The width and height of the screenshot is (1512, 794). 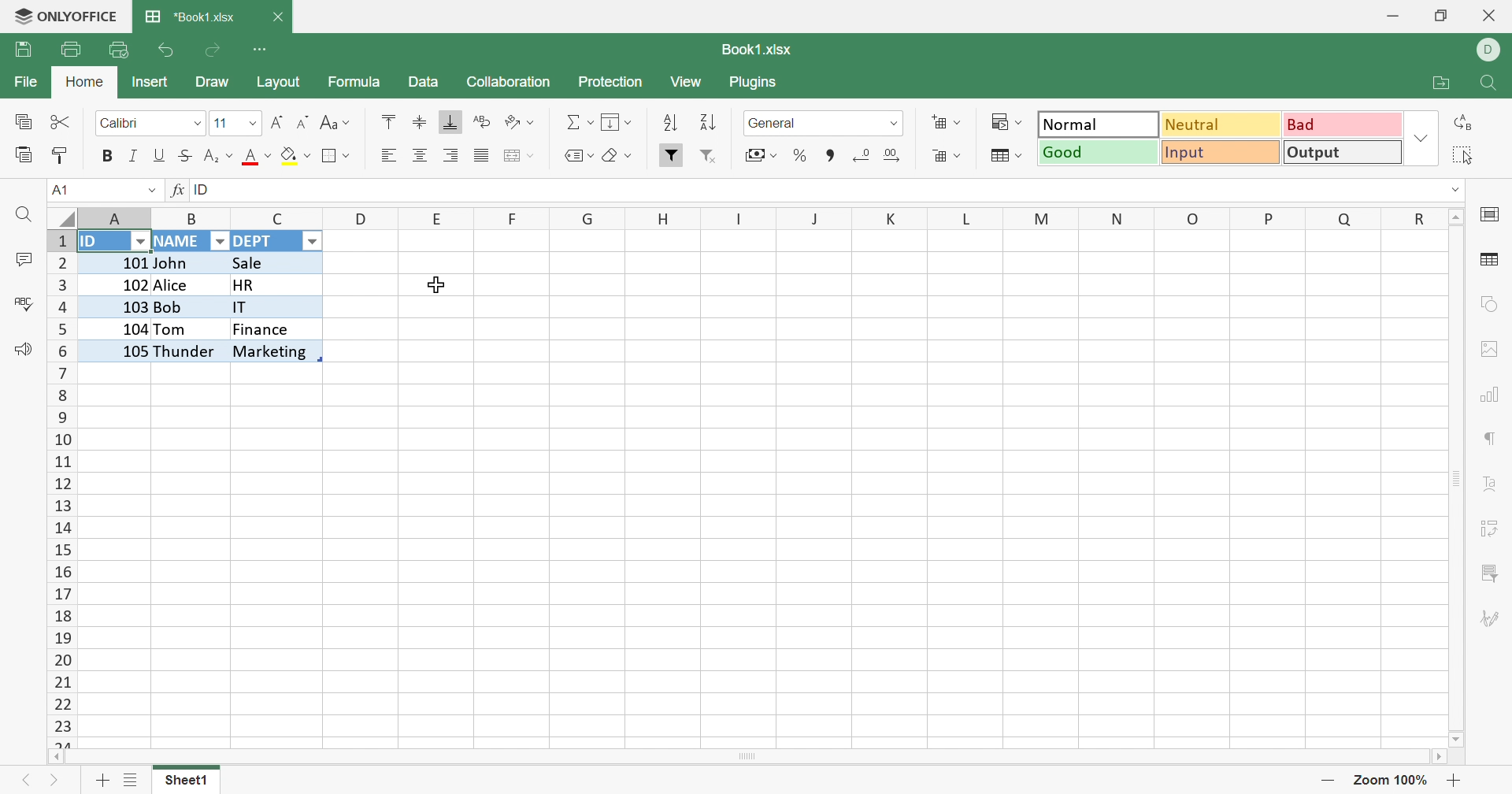 I want to click on Format table as template, so click(x=948, y=156).